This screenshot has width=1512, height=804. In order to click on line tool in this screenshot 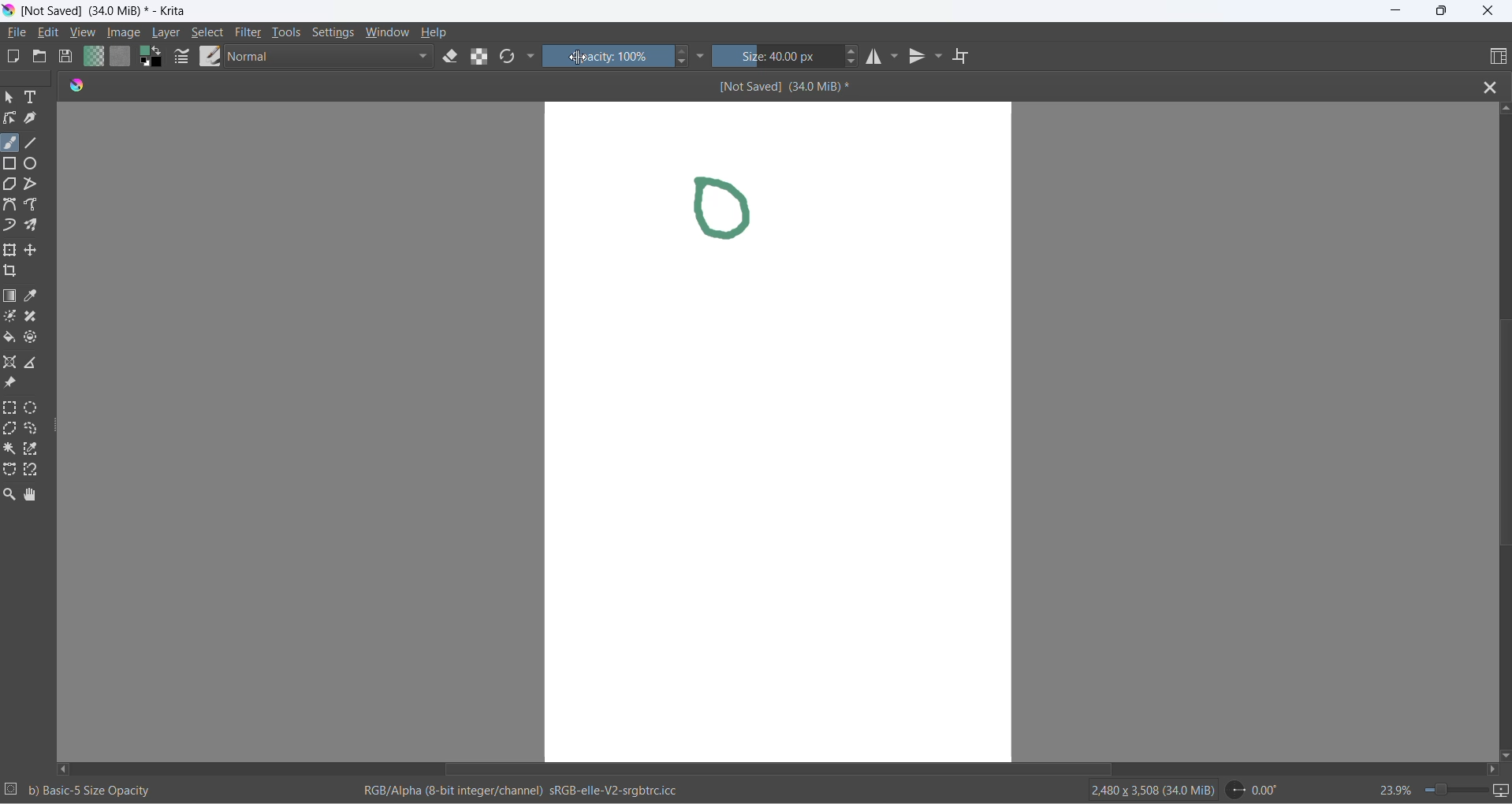, I will do `click(40, 143)`.